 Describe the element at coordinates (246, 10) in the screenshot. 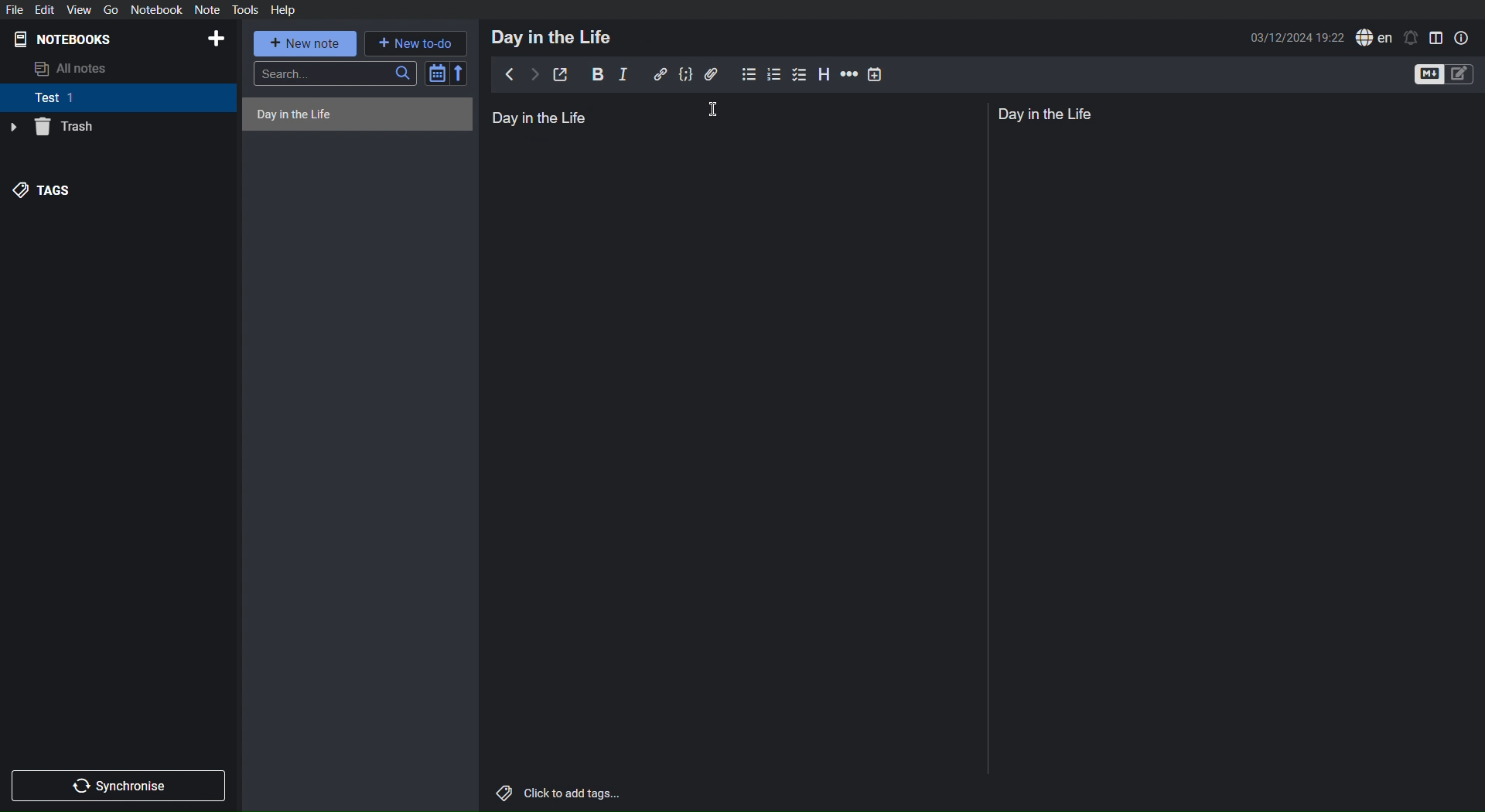

I see `Tools` at that location.